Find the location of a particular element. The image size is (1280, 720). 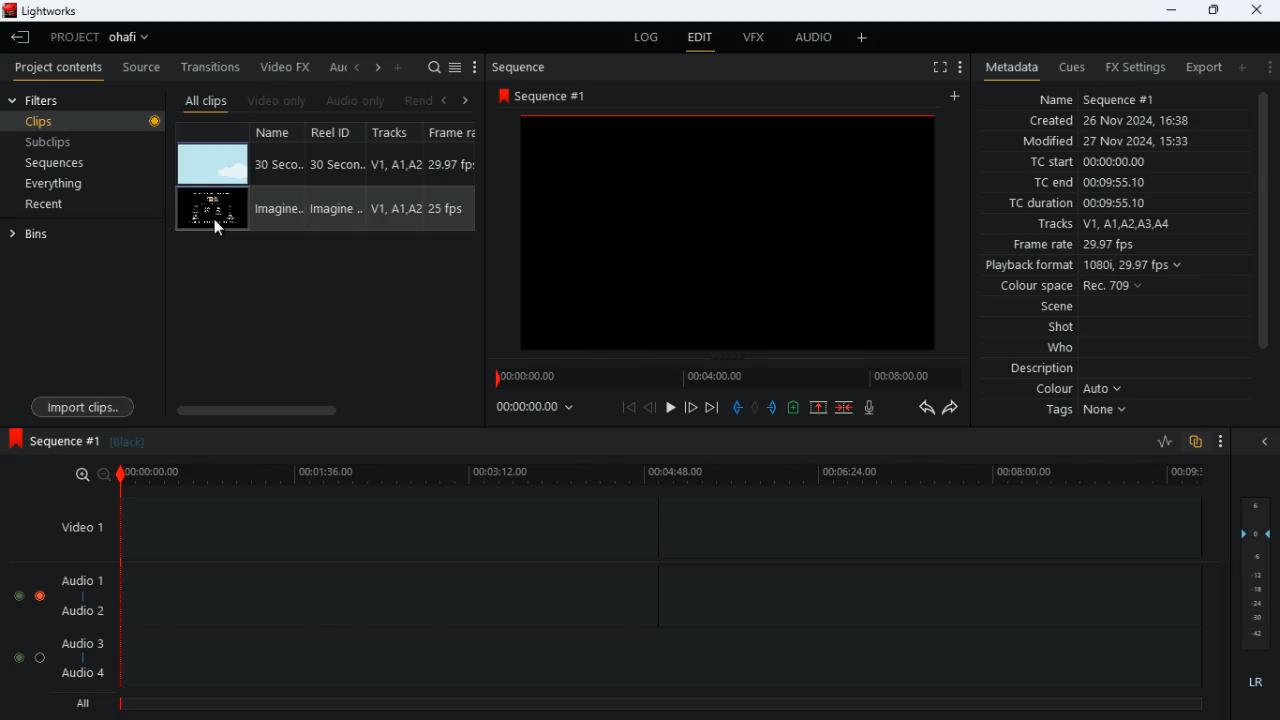

Track is located at coordinates (396, 208).